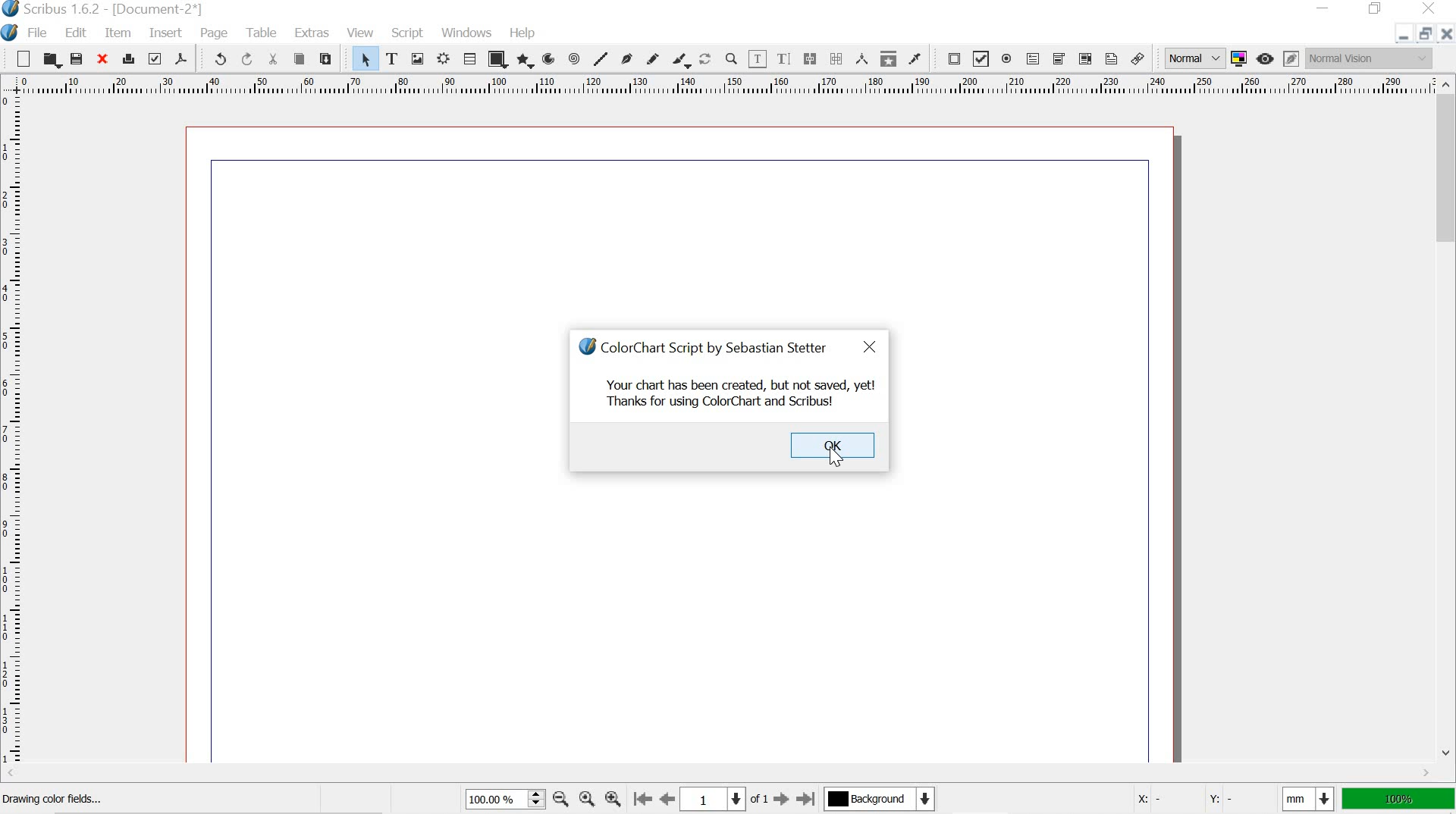  I want to click on Help, so click(524, 33).